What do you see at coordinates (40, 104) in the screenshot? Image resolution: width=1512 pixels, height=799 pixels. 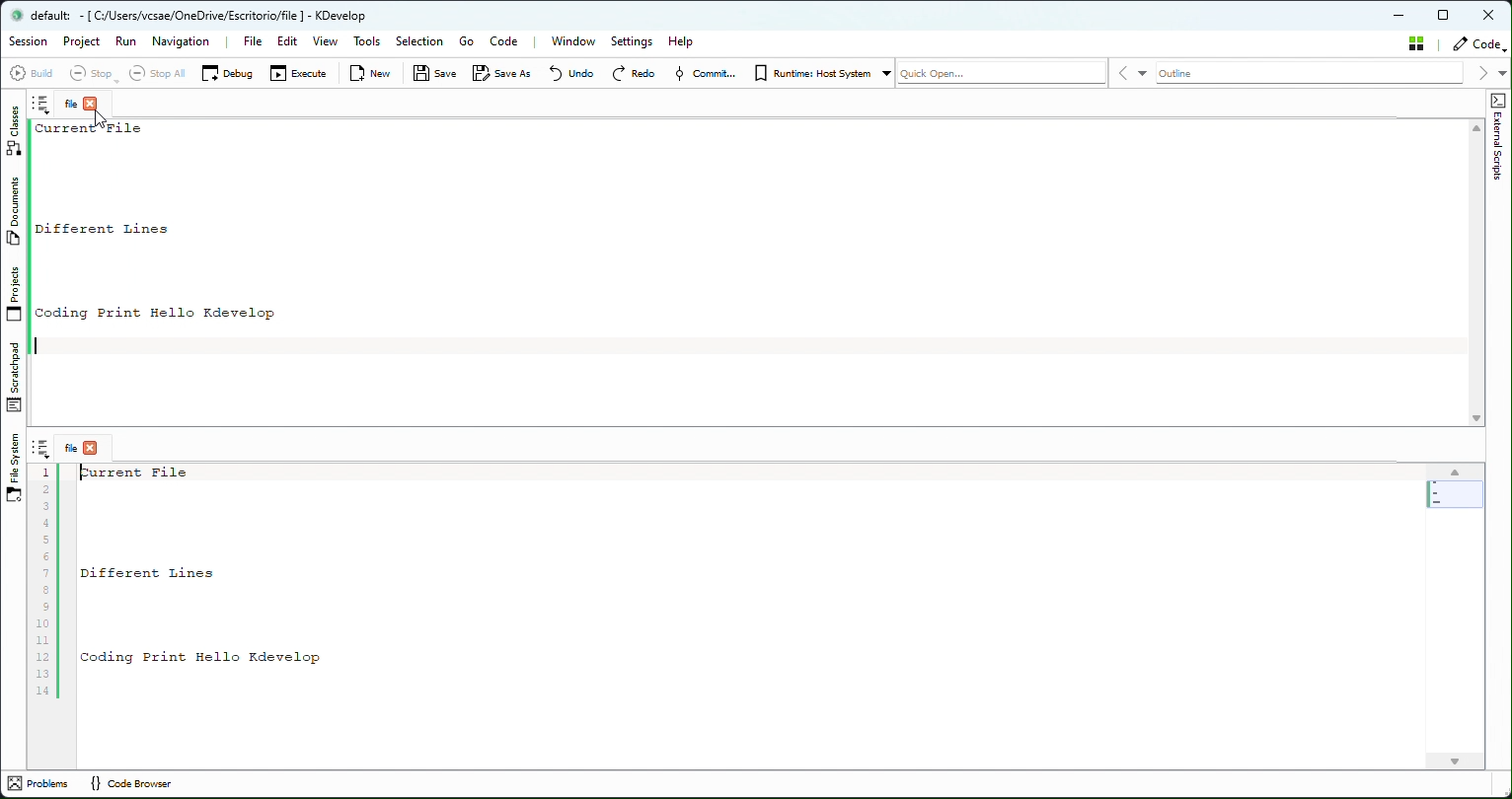 I see `Browse tab` at bounding box center [40, 104].